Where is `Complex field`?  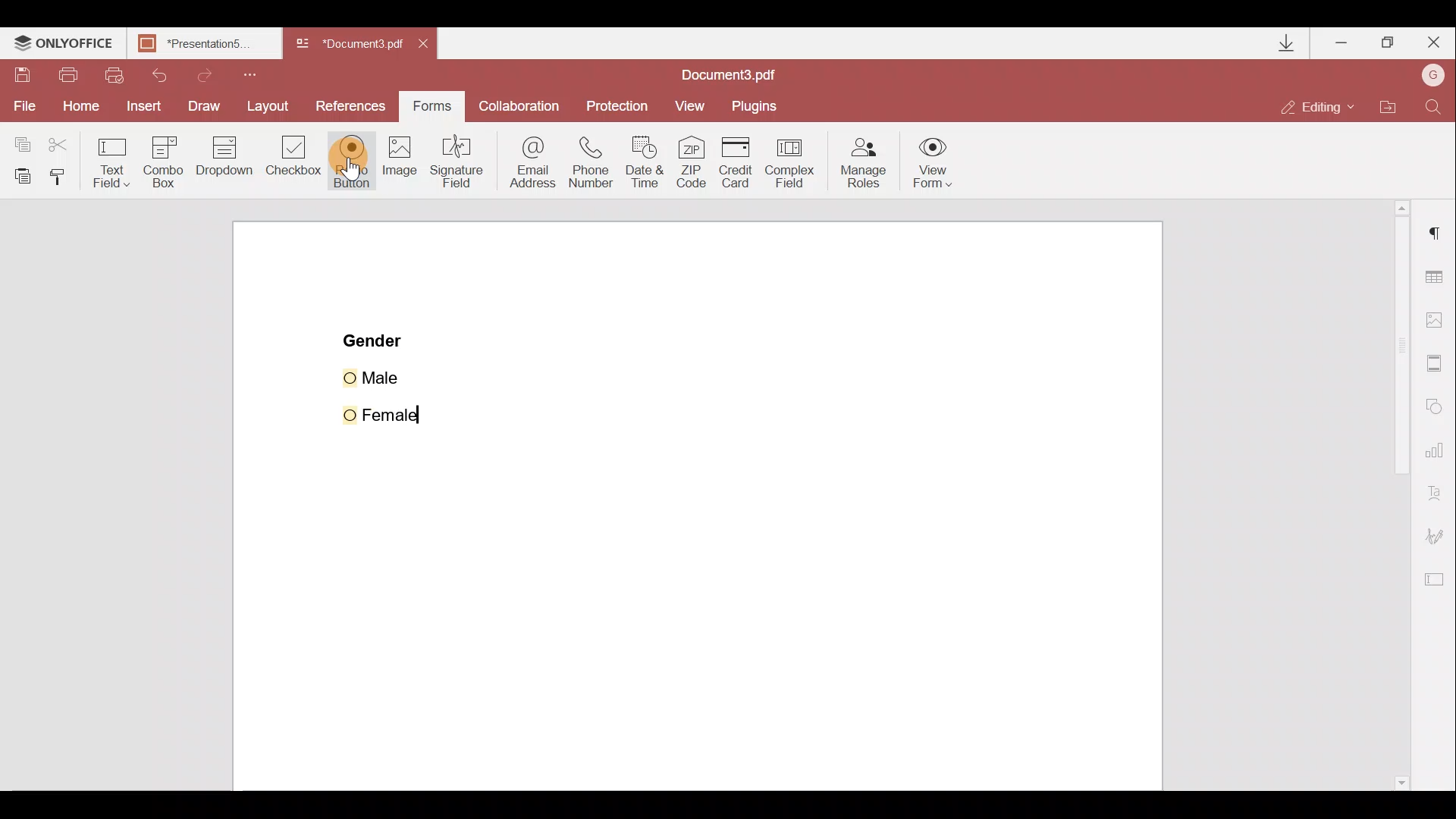 Complex field is located at coordinates (795, 160).